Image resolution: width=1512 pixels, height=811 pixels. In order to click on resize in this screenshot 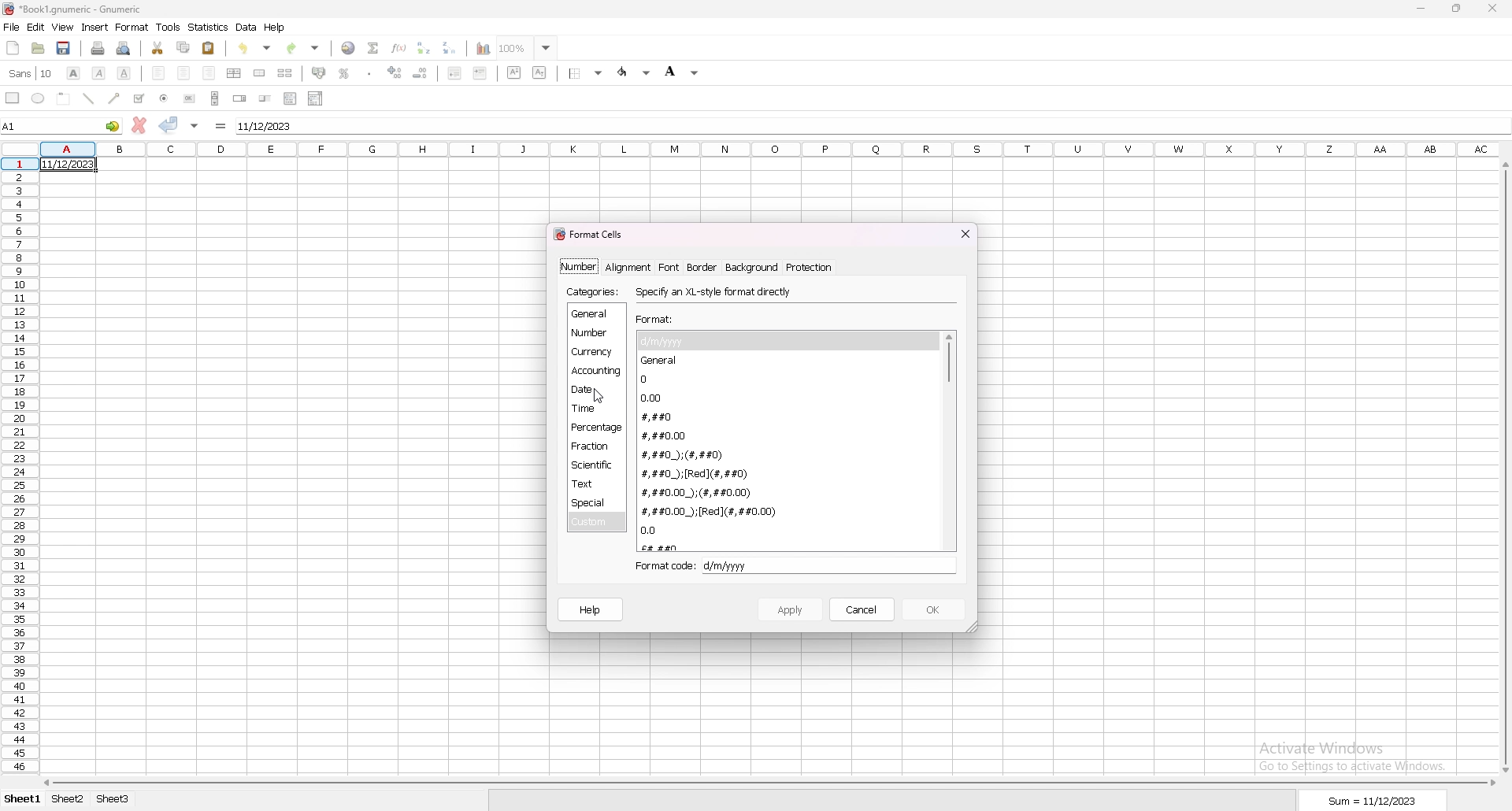, I will do `click(1458, 8)`.